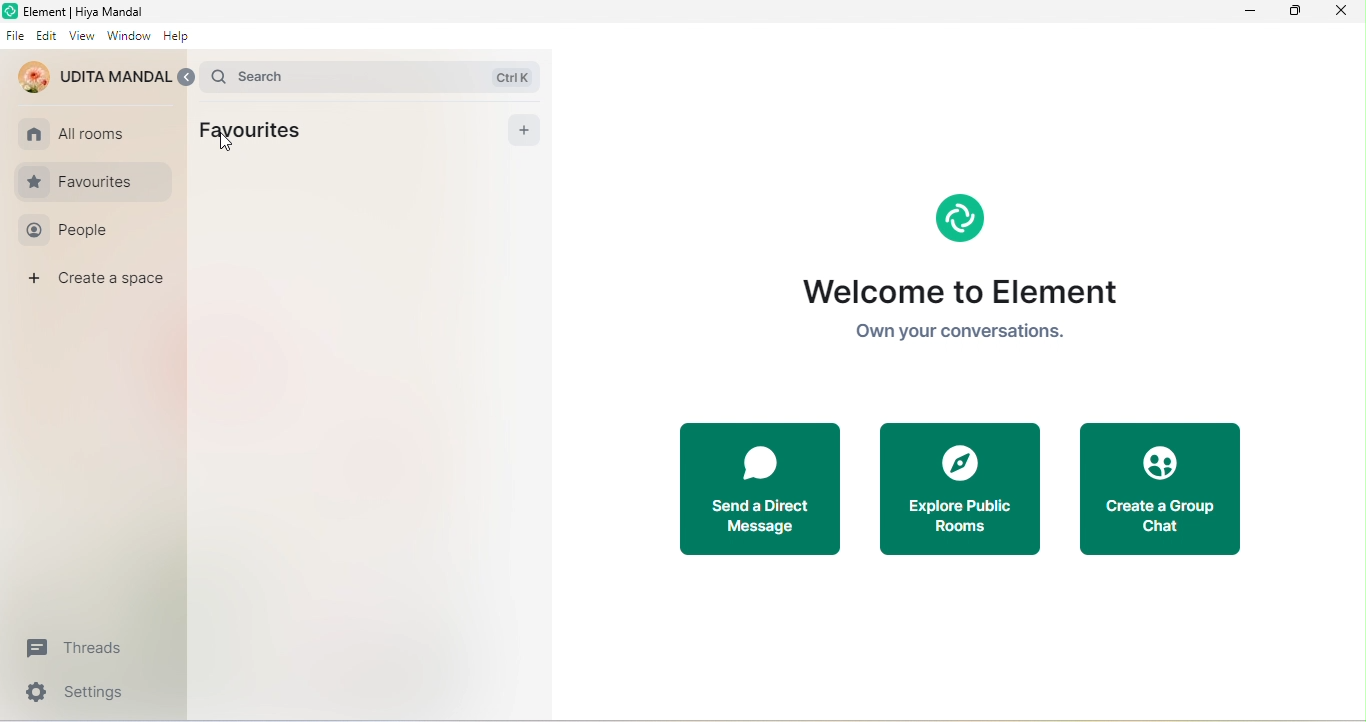 This screenshot has height=722, width=1366. Describe the element at coordinates (15, 36) in the screenshot. I see `file` at that location.